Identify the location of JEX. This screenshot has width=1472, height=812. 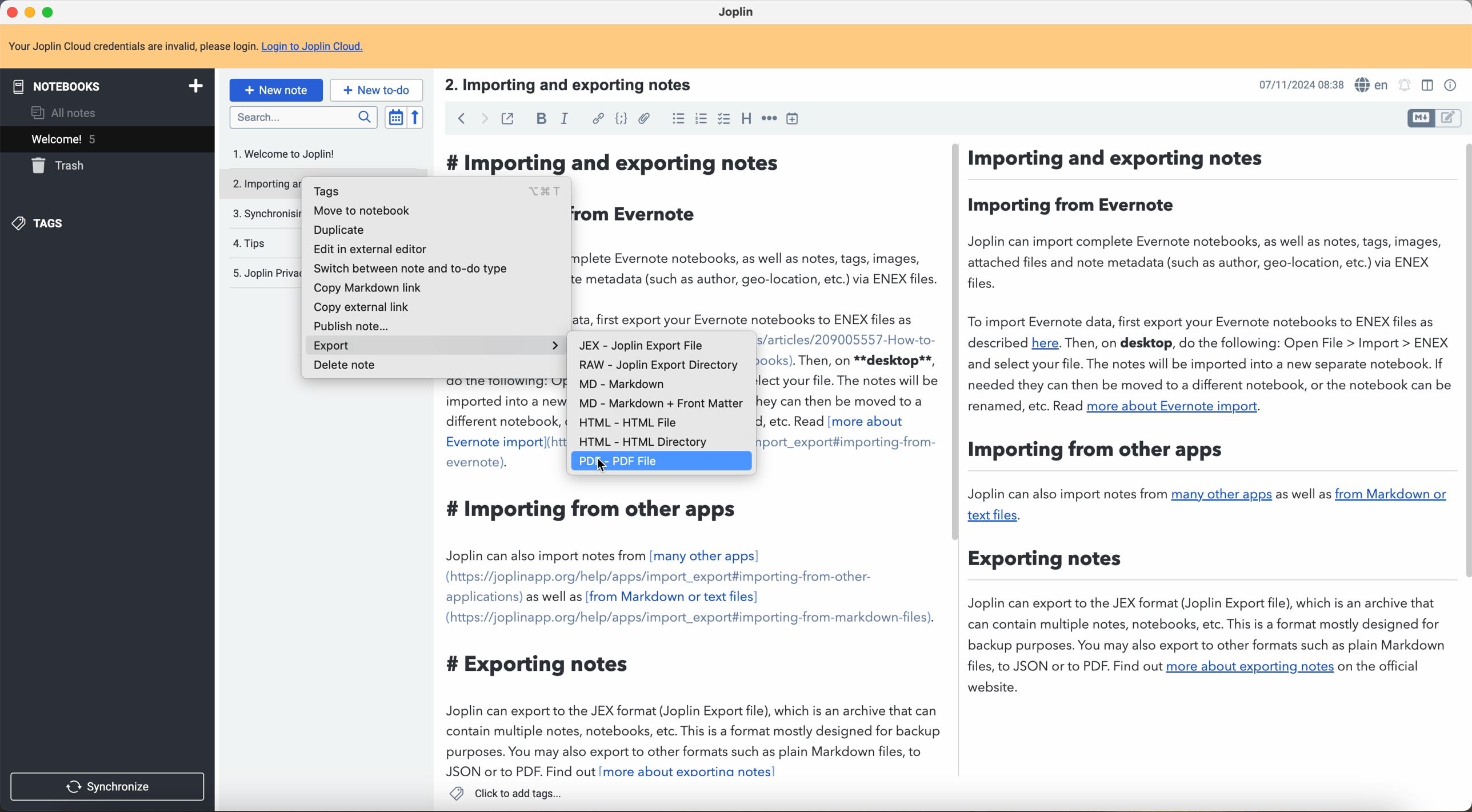
(641, 346).